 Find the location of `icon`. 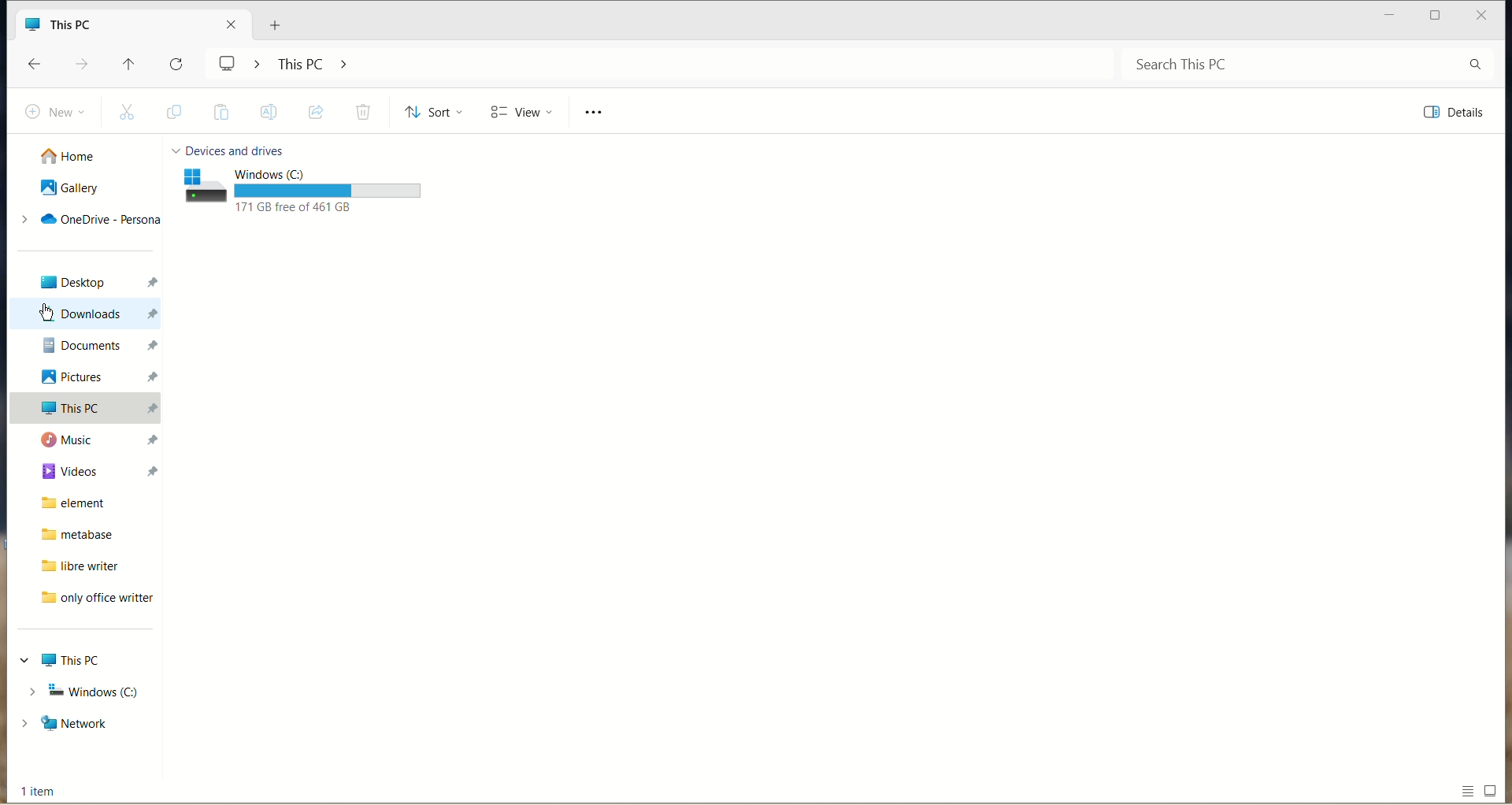

icon is located at coordinates (202, 185).